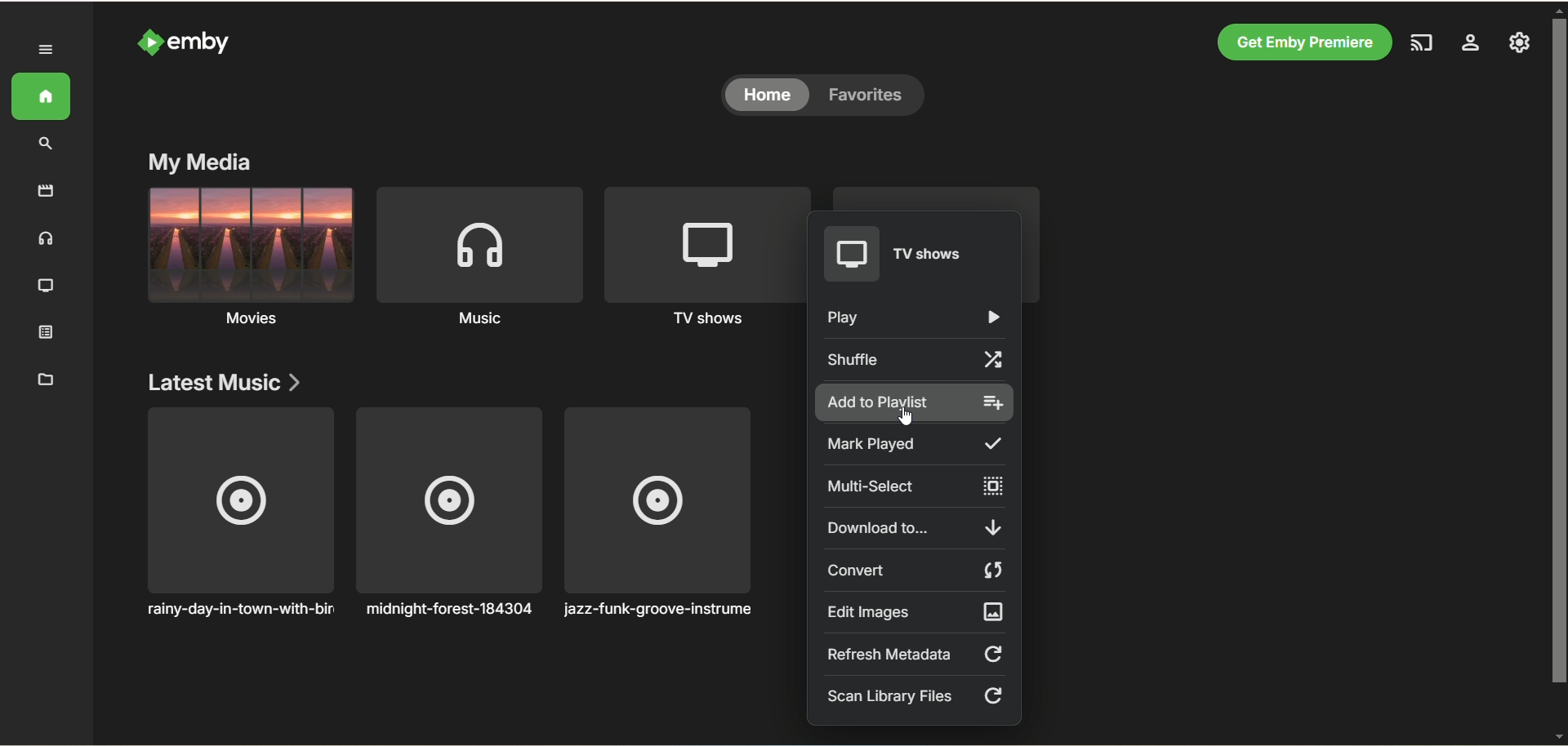 The image size is (1568, 746). Describe the element at coordinates (914, 485) in the screenshot. I see `multi-select` at that location.